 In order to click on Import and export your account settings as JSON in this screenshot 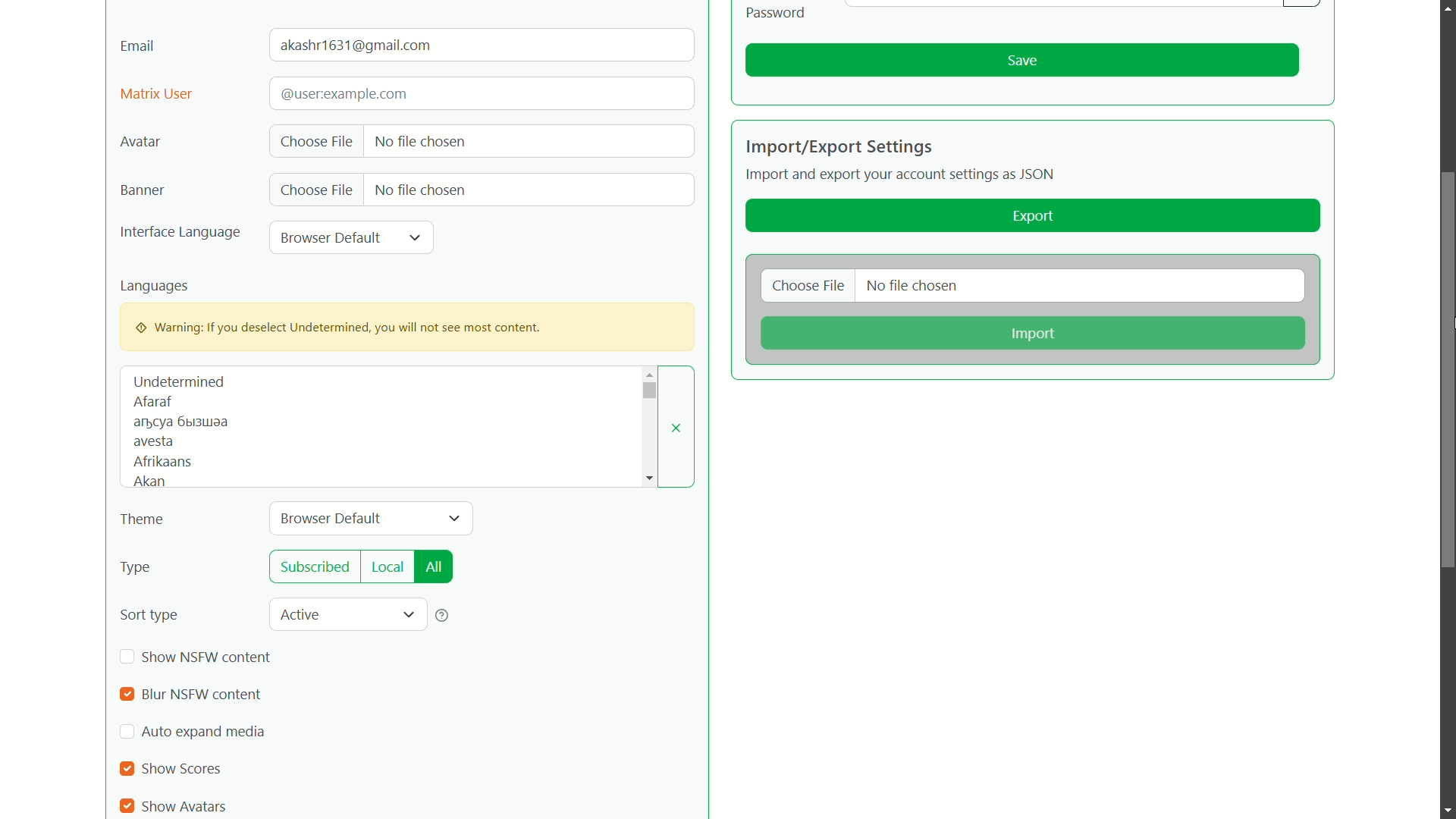, I will do `click(903, 177)`.